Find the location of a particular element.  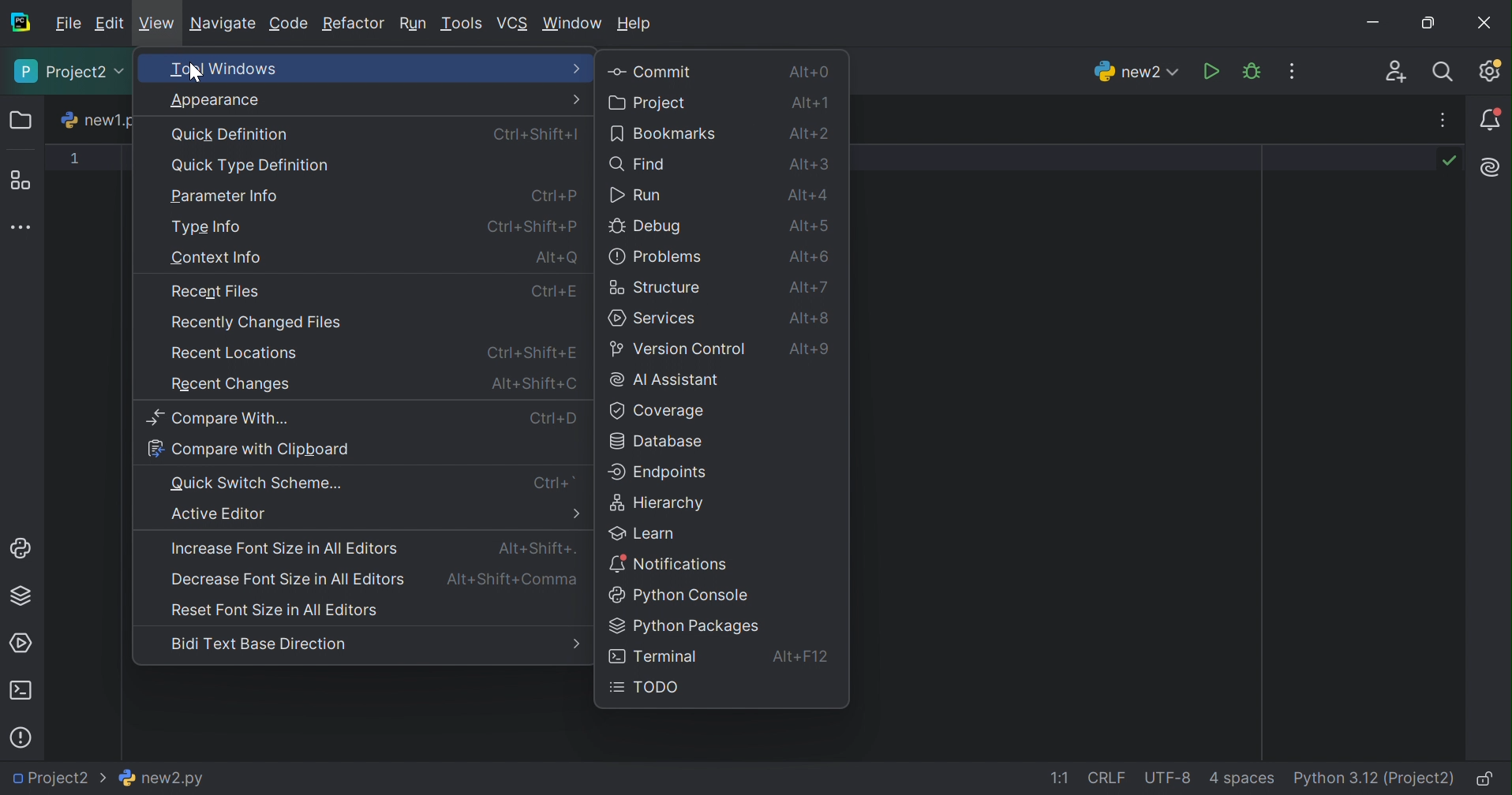

Project2 is located at coordinates (58, 778).